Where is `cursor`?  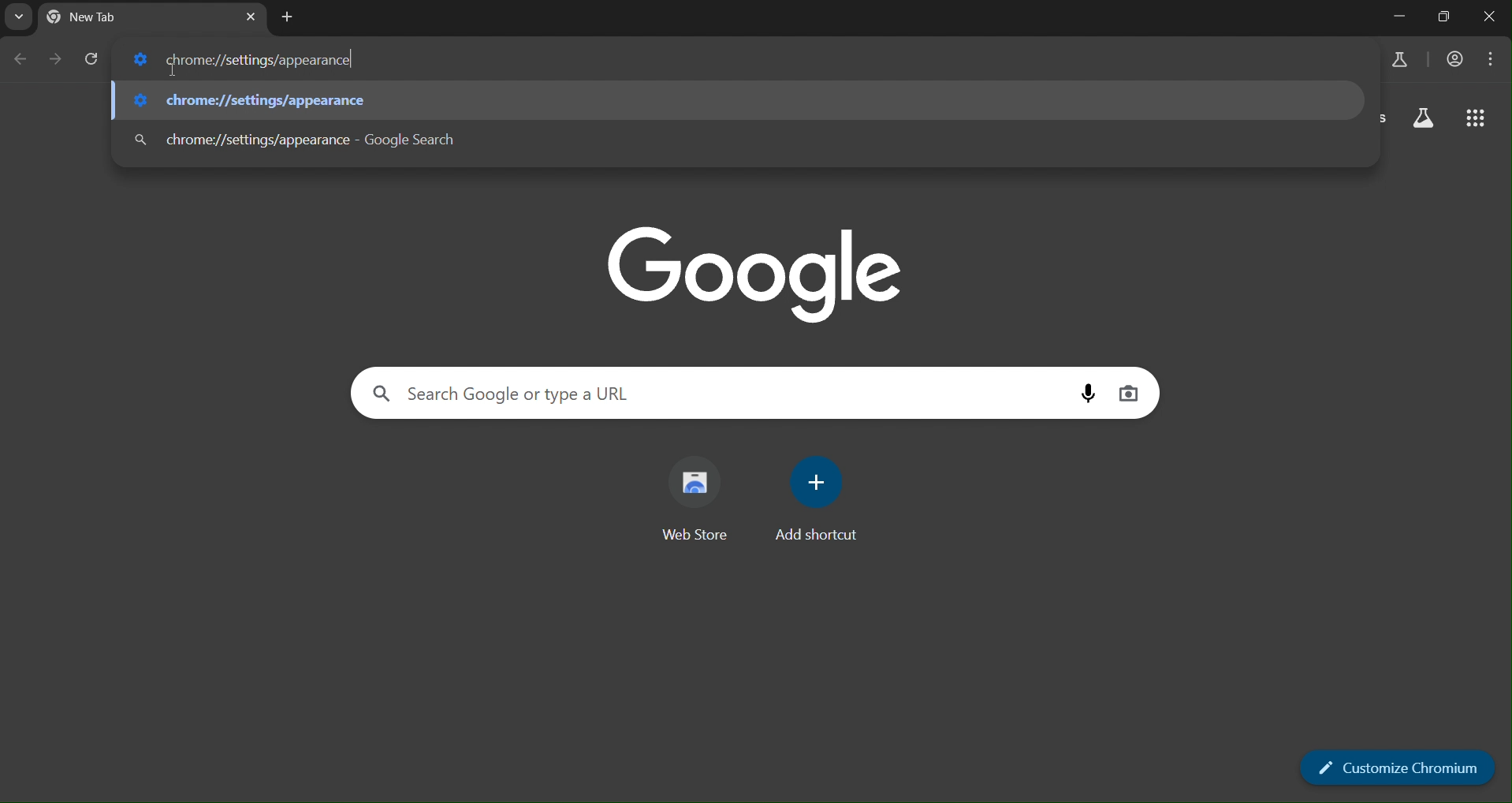 cursor is located at coordinates (174, 70).